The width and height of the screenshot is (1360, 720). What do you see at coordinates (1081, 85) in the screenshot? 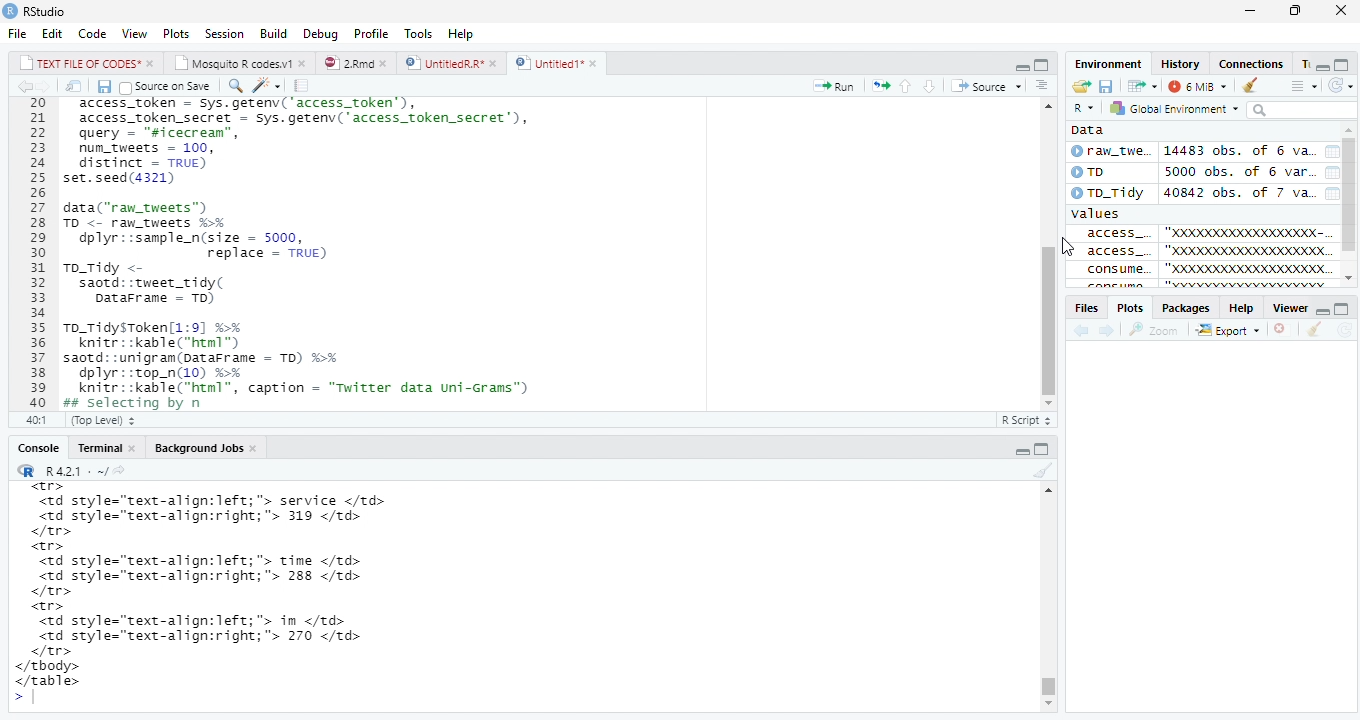
I see `new` at bounding box center [1081, 85].